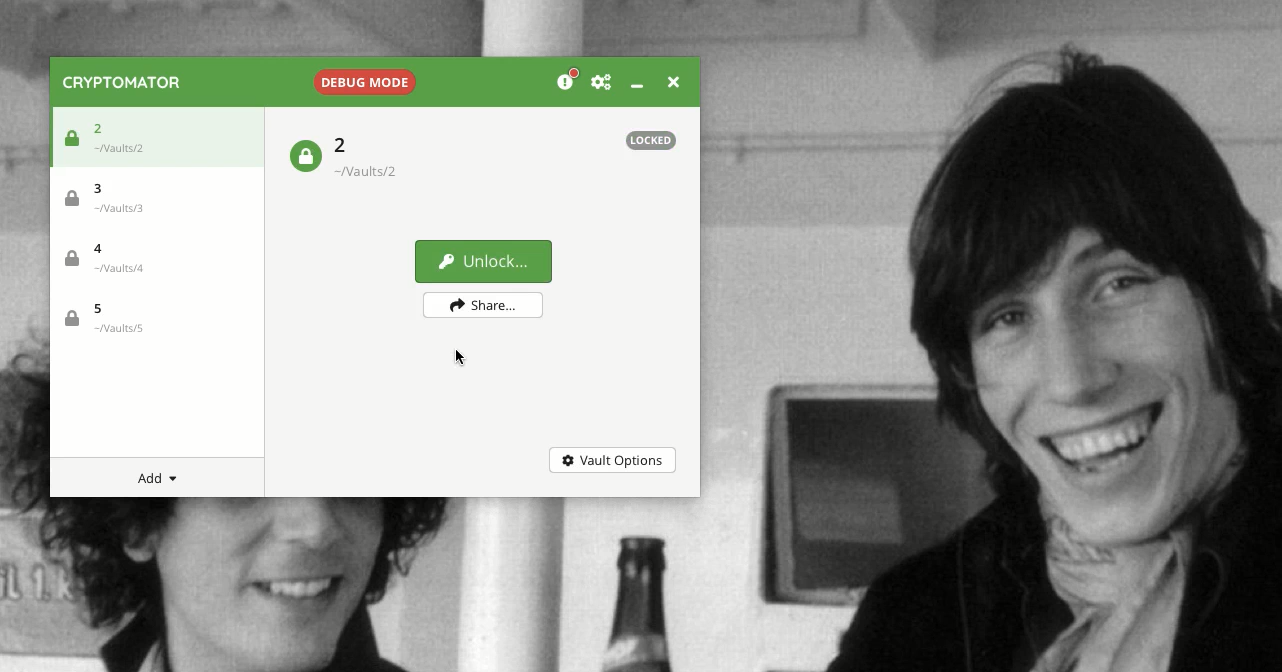 The height and width of the screenshot is (672, 1282). I want to click on Share, so click(484, 304).